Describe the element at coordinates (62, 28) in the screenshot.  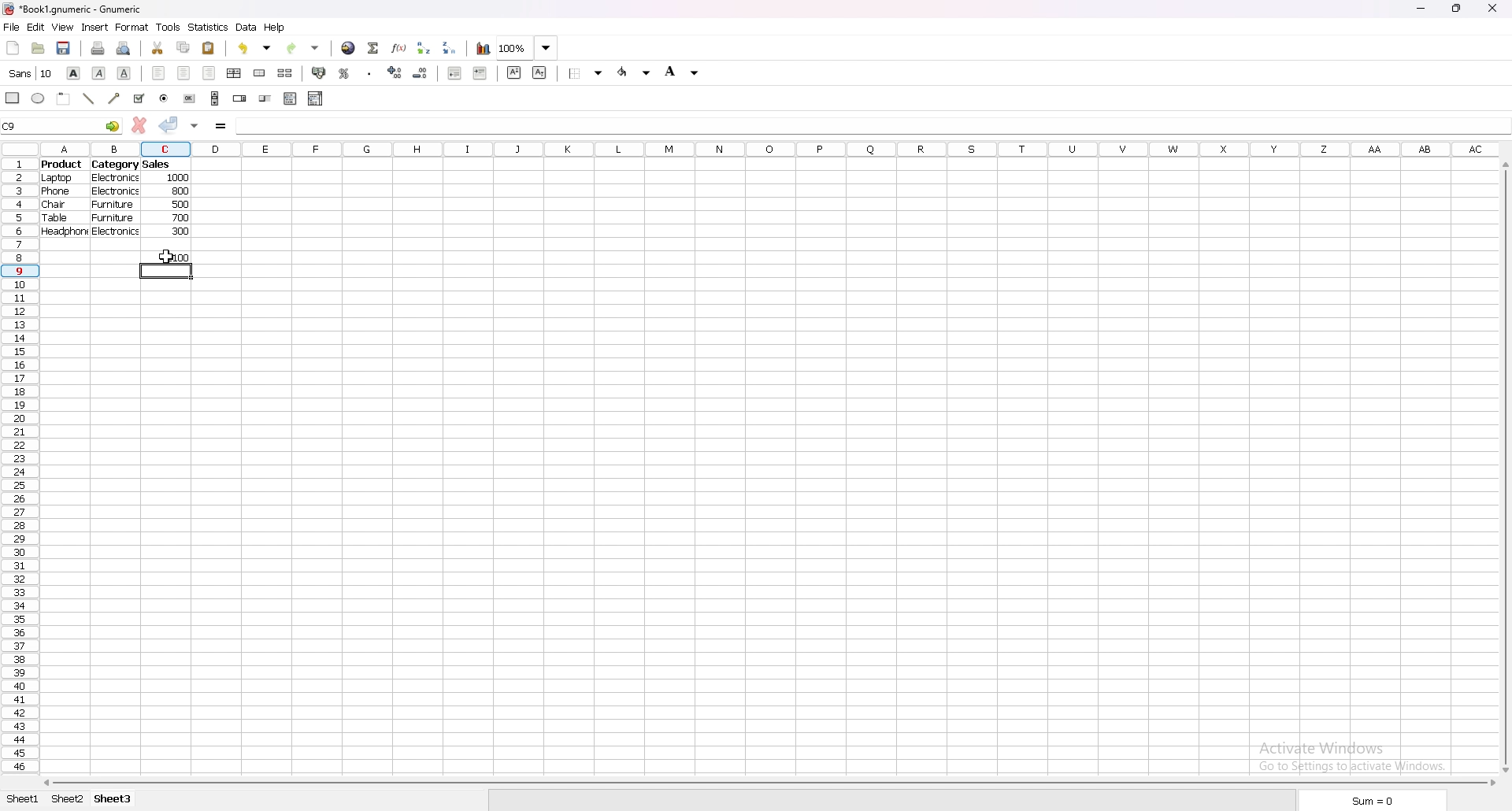
I see `view` at that location.